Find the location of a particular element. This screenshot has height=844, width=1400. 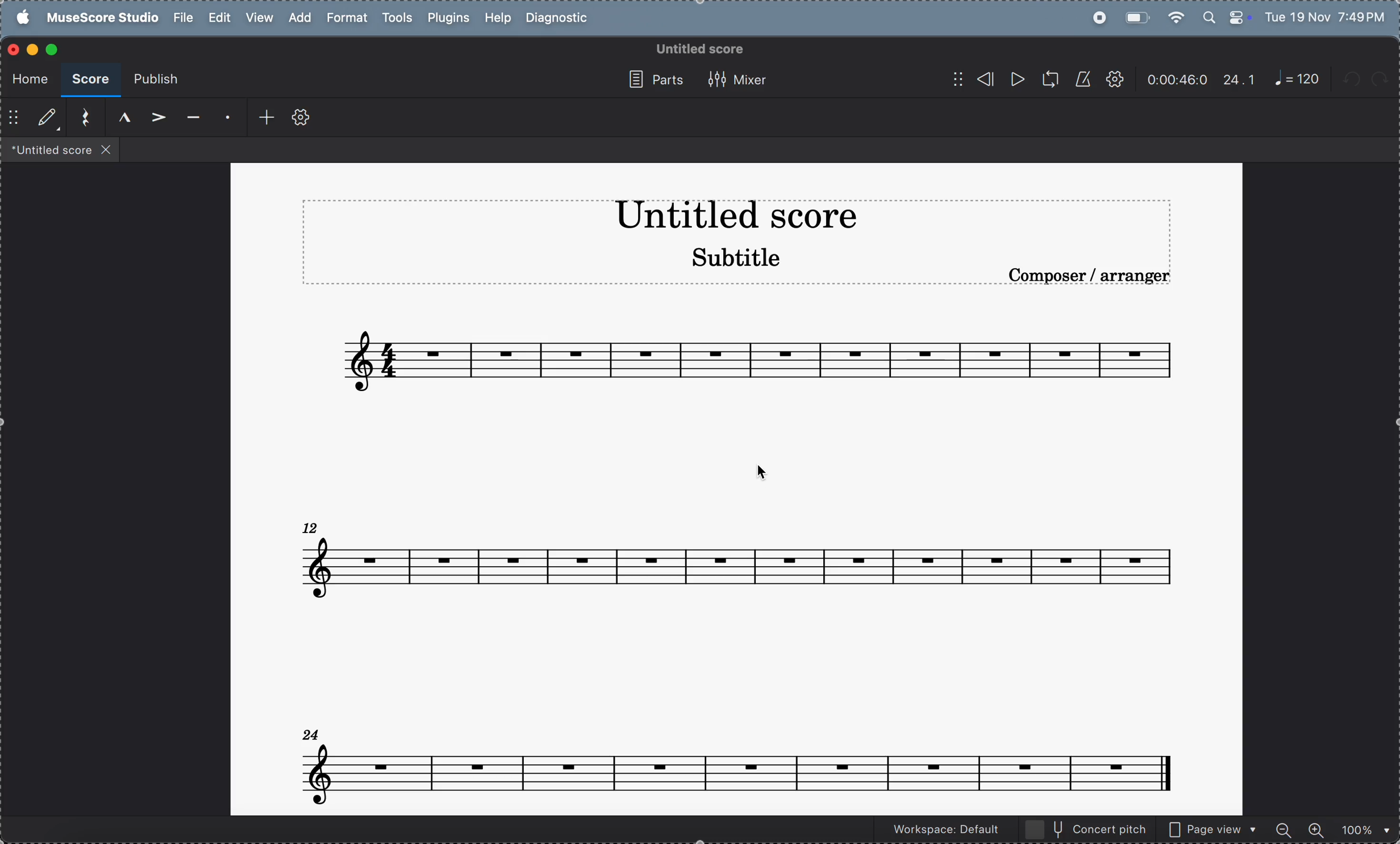

view is located at coordinates (259, 18).